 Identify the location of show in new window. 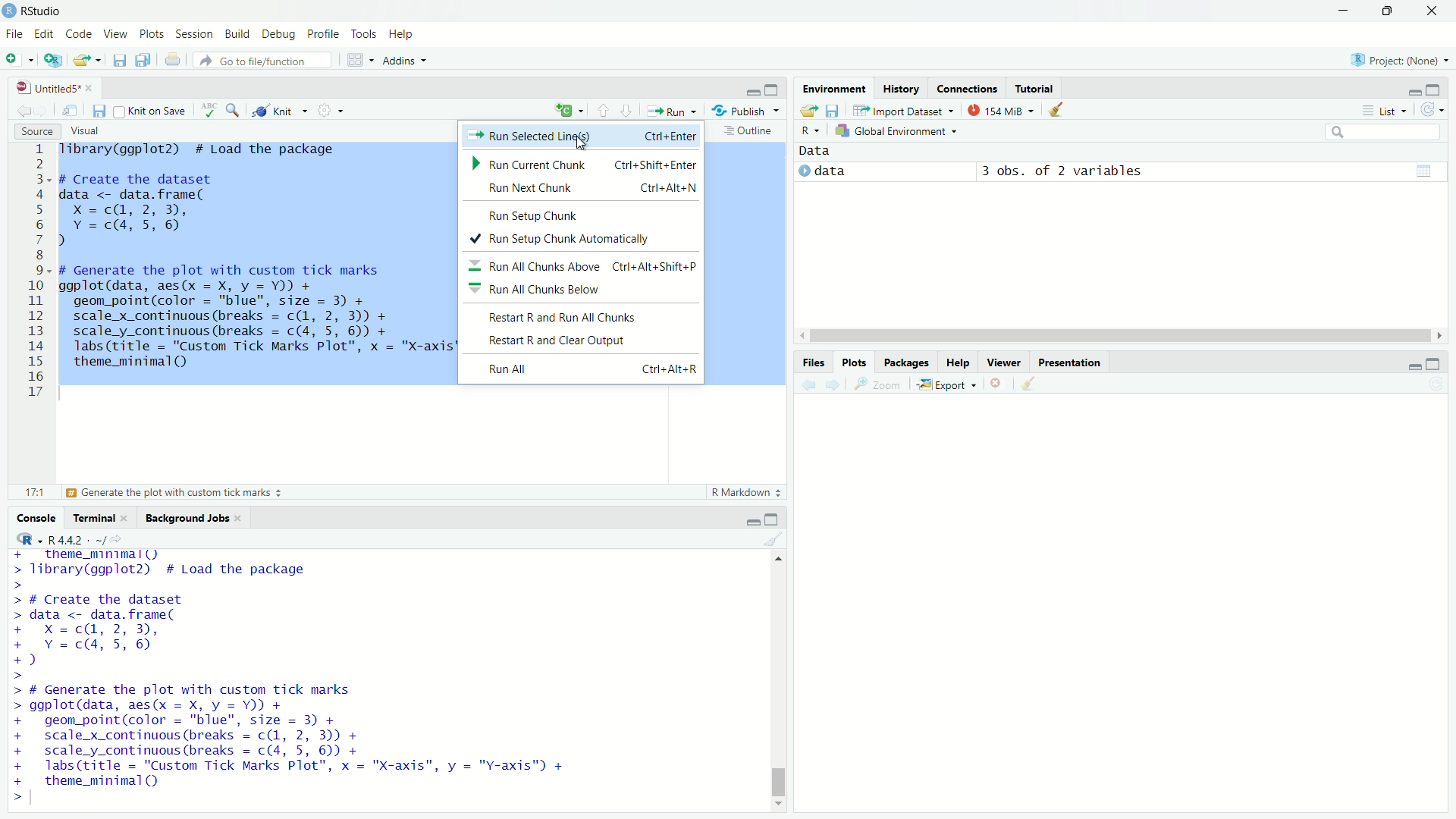
(72, 110).